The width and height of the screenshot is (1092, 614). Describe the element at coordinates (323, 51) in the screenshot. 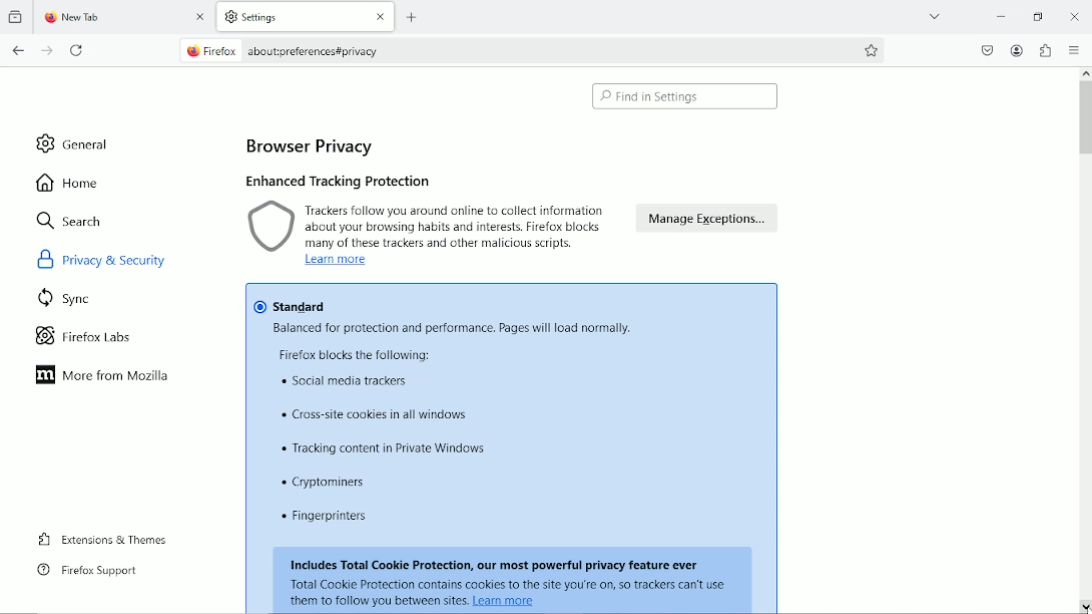

I see `about:oreferences#privacy` at that location.